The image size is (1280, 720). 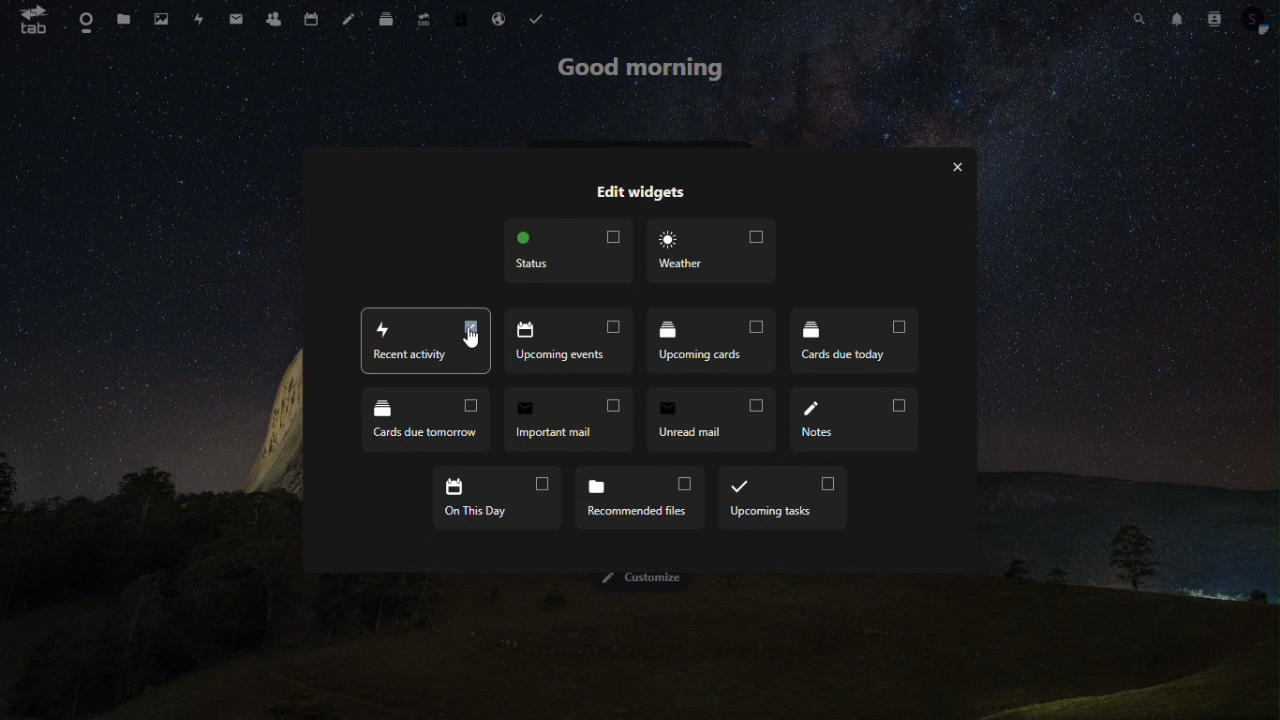 I want to click on status, so click(x=571, y=254).